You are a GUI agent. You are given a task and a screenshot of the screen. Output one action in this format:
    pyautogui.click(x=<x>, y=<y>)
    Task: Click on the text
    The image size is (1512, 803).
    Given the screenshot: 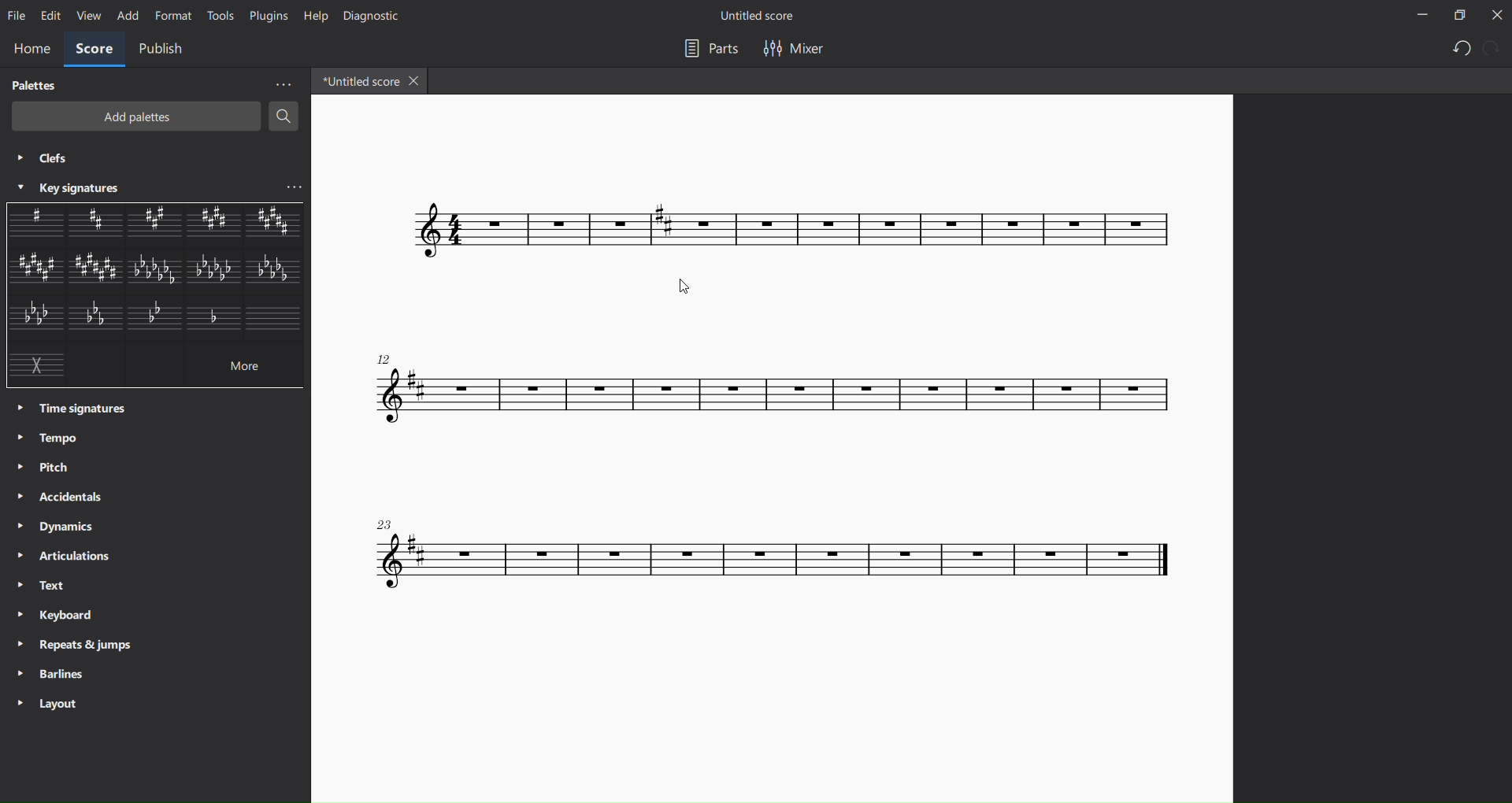 What is the action you would take?
    pyautogui.click(x=47, y=586)
    